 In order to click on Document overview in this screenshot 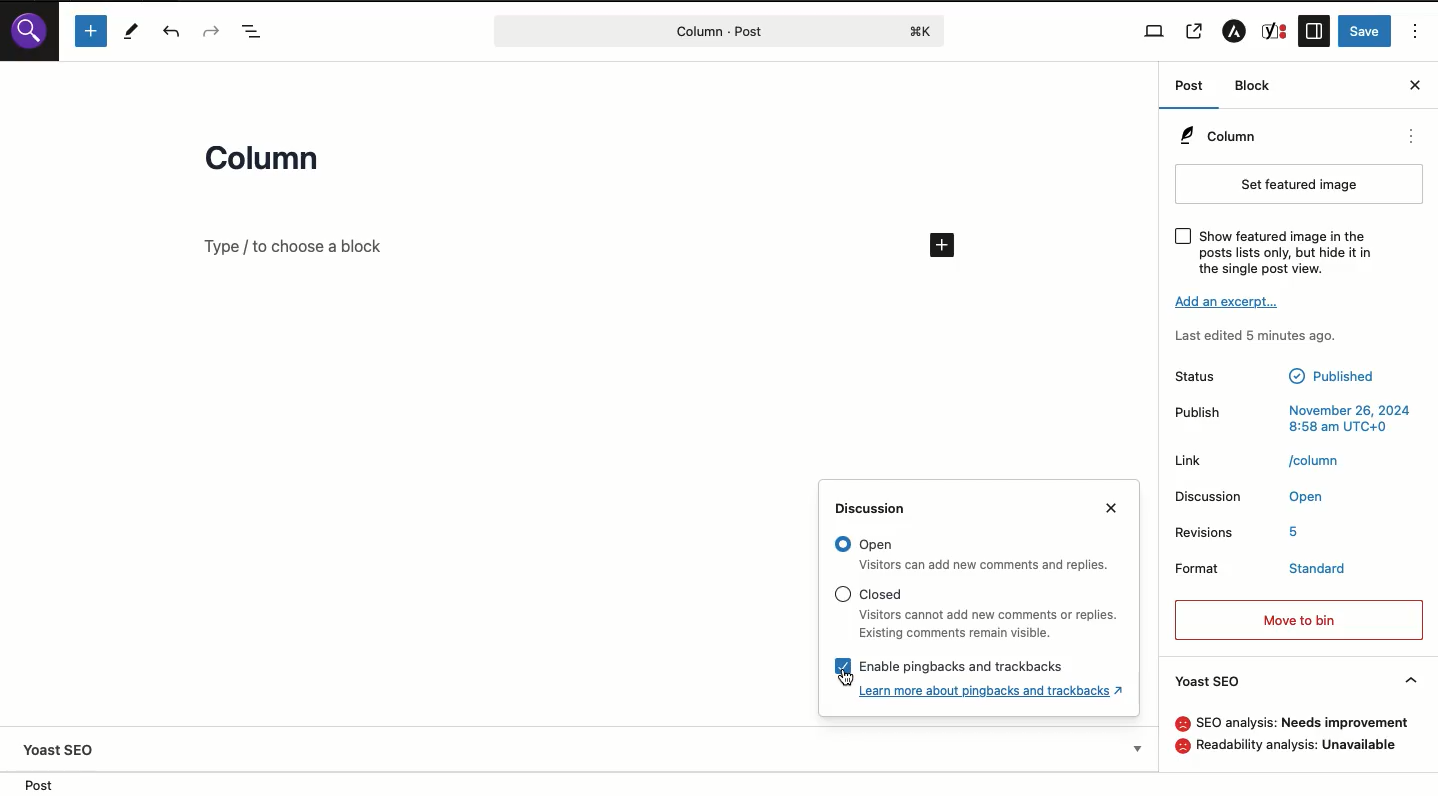, I will do `click(257, 33)`.